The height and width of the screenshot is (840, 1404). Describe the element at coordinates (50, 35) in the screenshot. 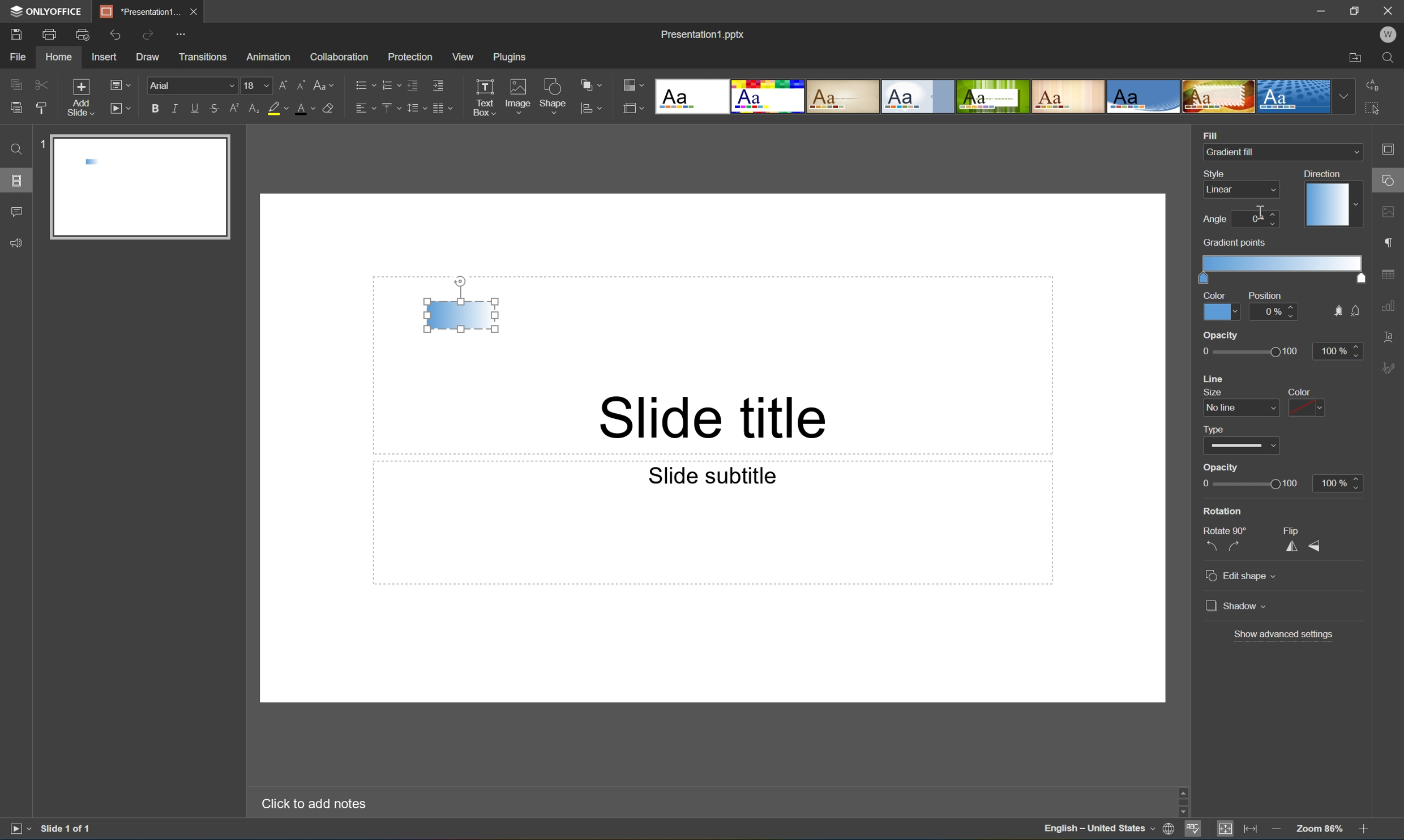

I see `Print file` at that location.